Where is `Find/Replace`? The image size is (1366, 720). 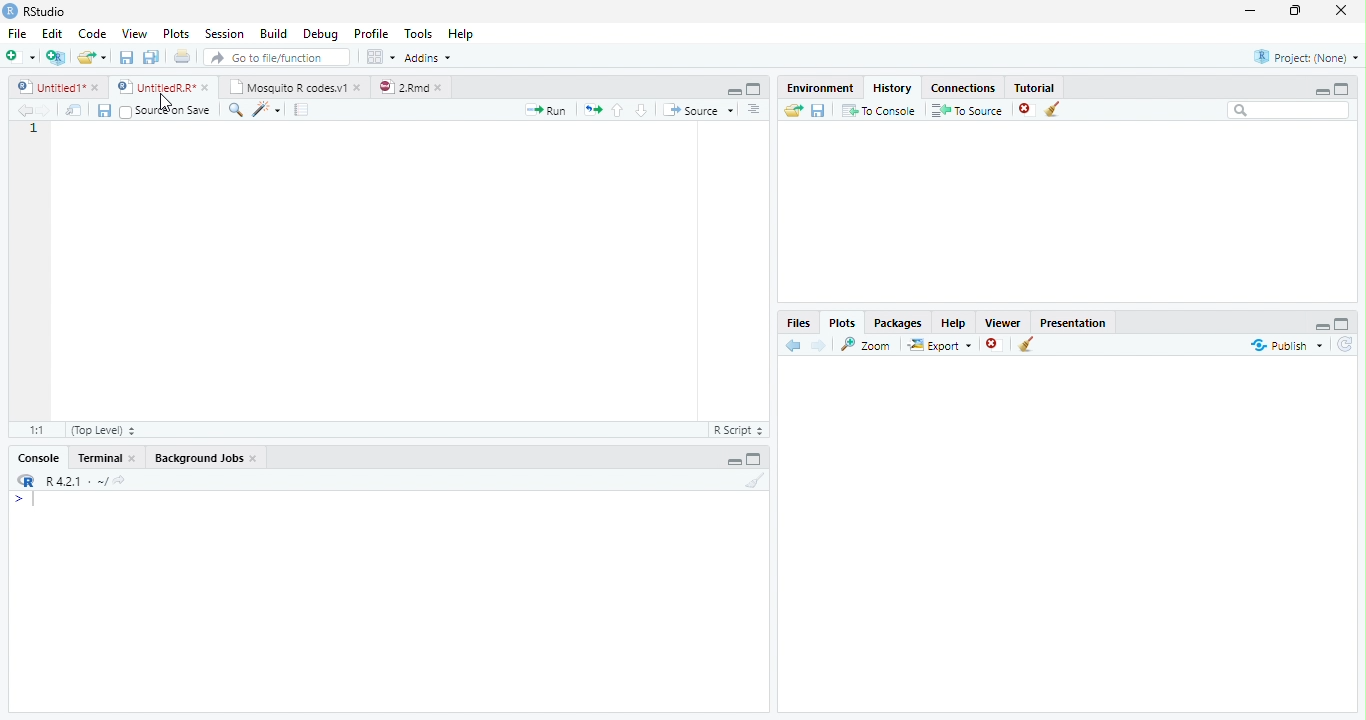
Find/Replace is located at coordinates (233, 110).